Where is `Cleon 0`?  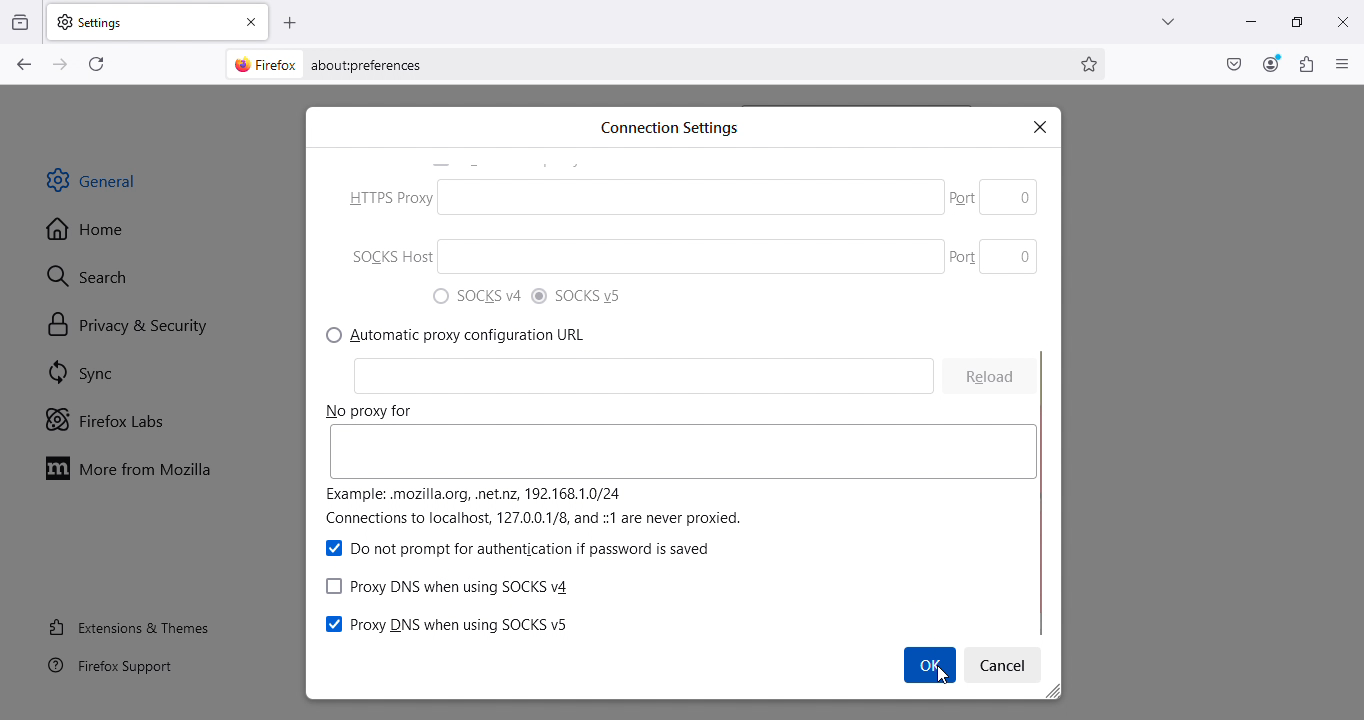 Cleon 0 is located at coordinates (990, 382).